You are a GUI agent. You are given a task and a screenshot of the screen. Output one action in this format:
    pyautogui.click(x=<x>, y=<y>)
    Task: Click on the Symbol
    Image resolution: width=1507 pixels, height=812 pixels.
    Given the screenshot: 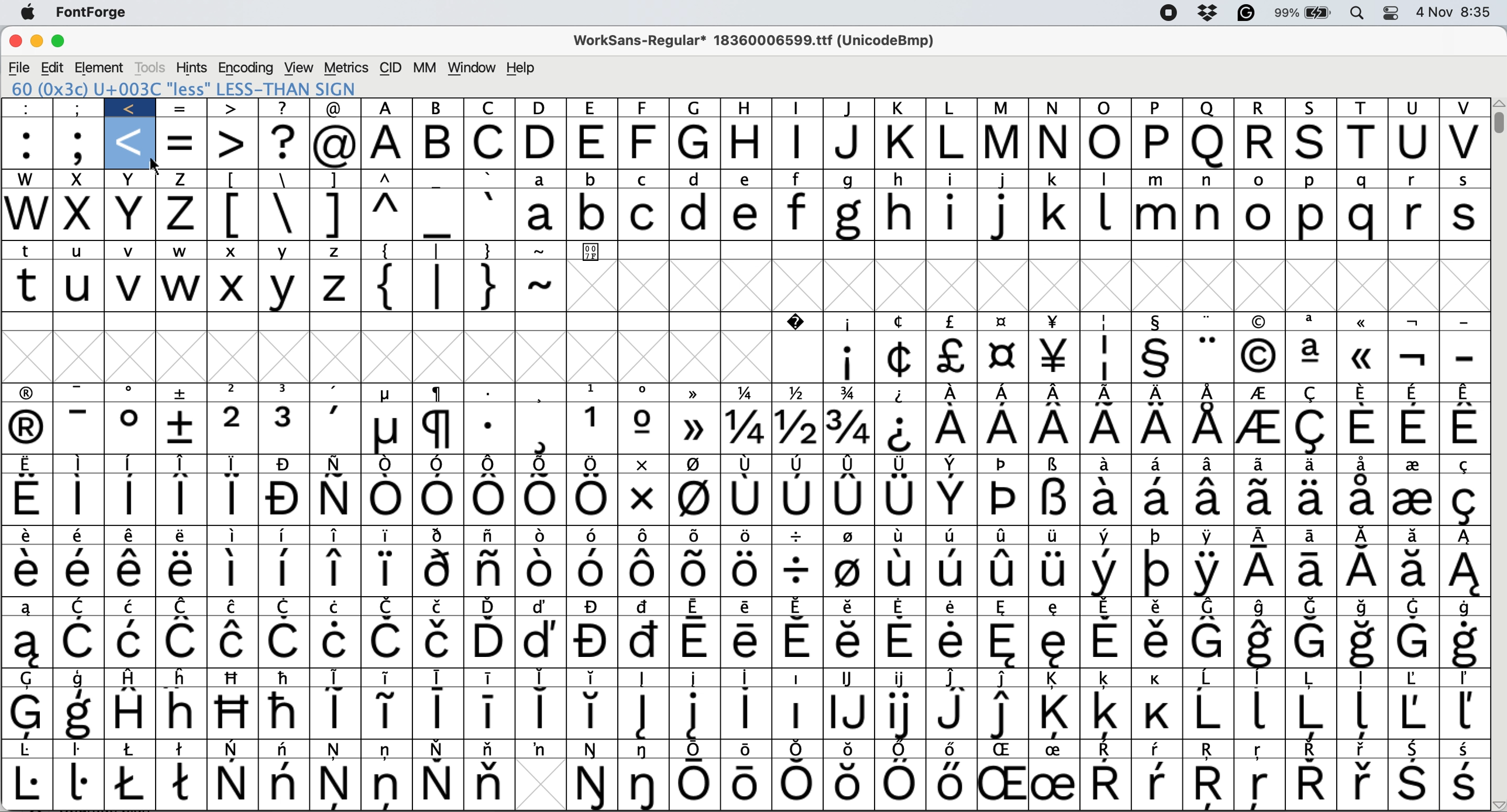 What is the action you would take?
    pyautogui.click(x=183, y=641)
    